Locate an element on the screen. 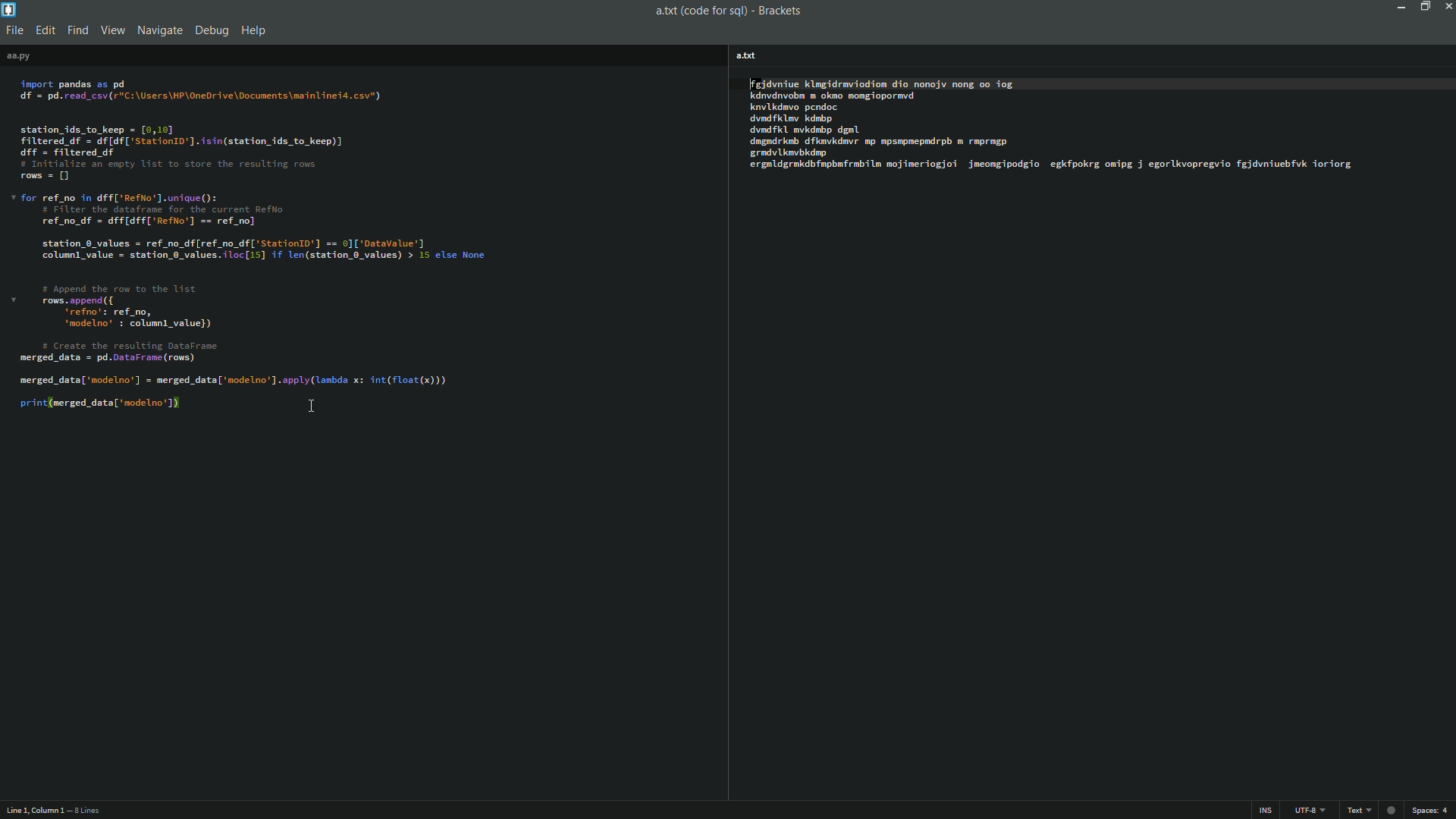 The image size is (1456, 819). cursor position is located at coordinates (63, 808).